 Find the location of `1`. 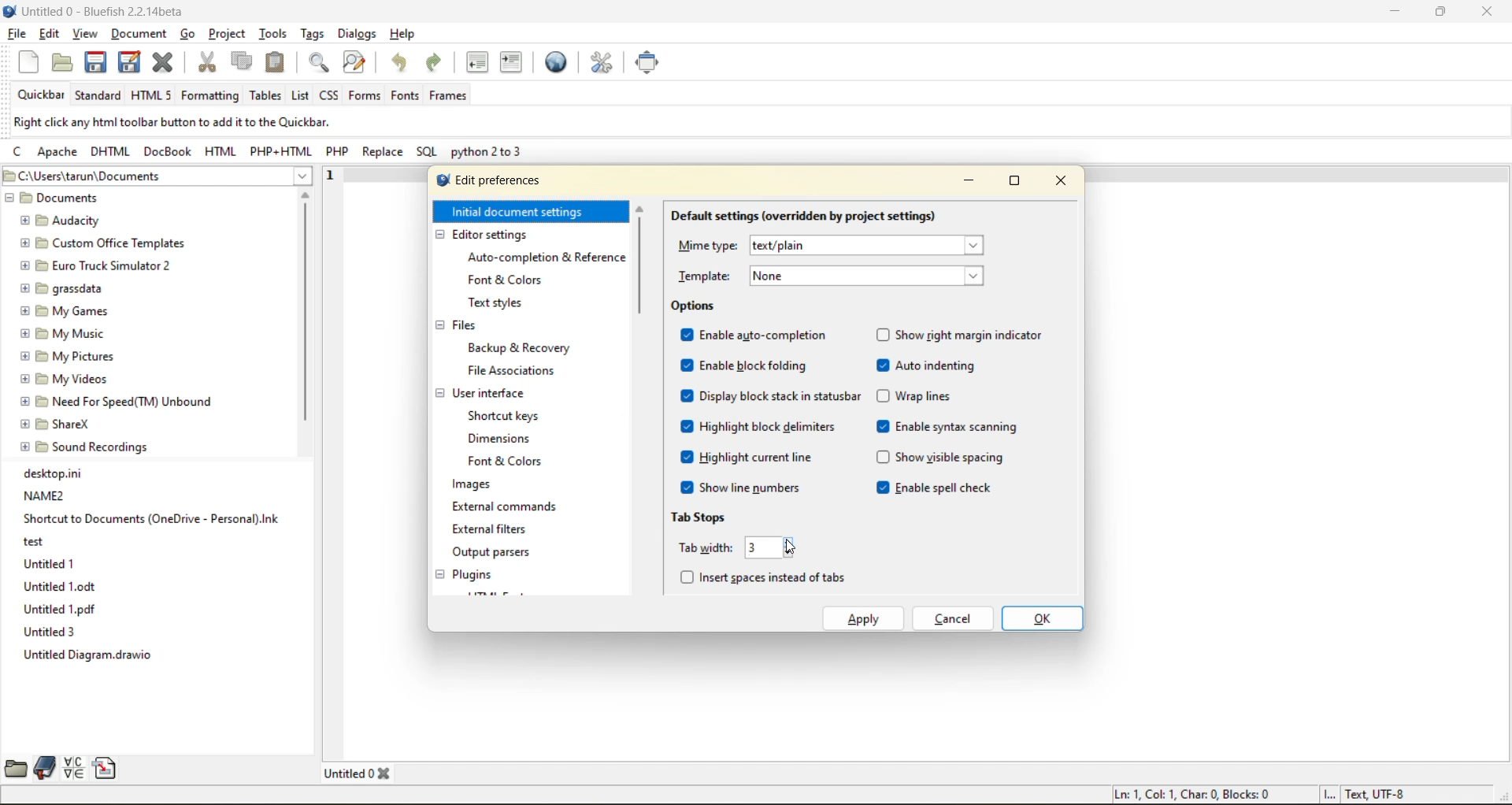

1 is located at coordinates (326, 172).